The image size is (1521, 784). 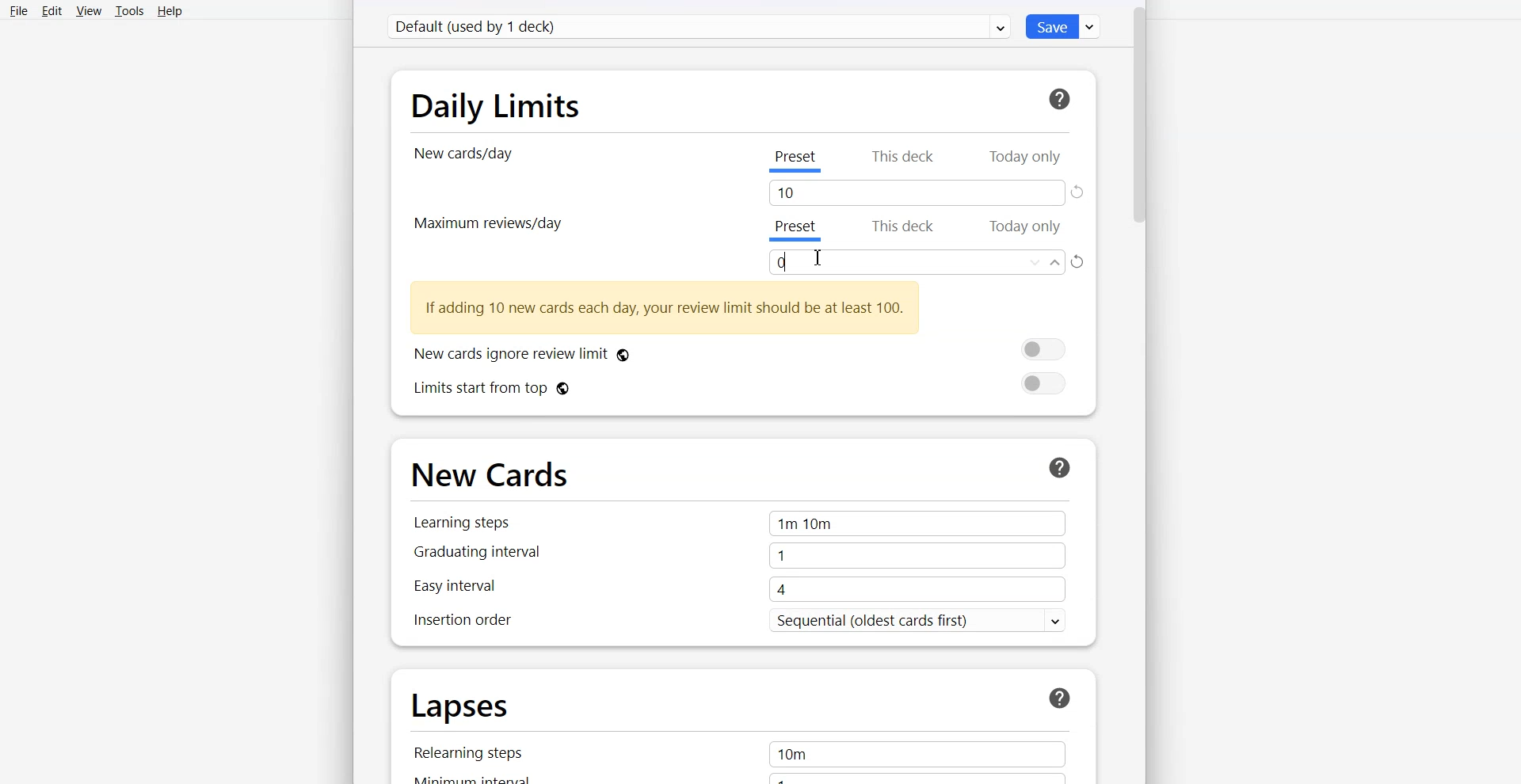 What do you see at coordinates (818, 258) in the screenshot?
I see `Text cursor` at bounding box center [818, 258].